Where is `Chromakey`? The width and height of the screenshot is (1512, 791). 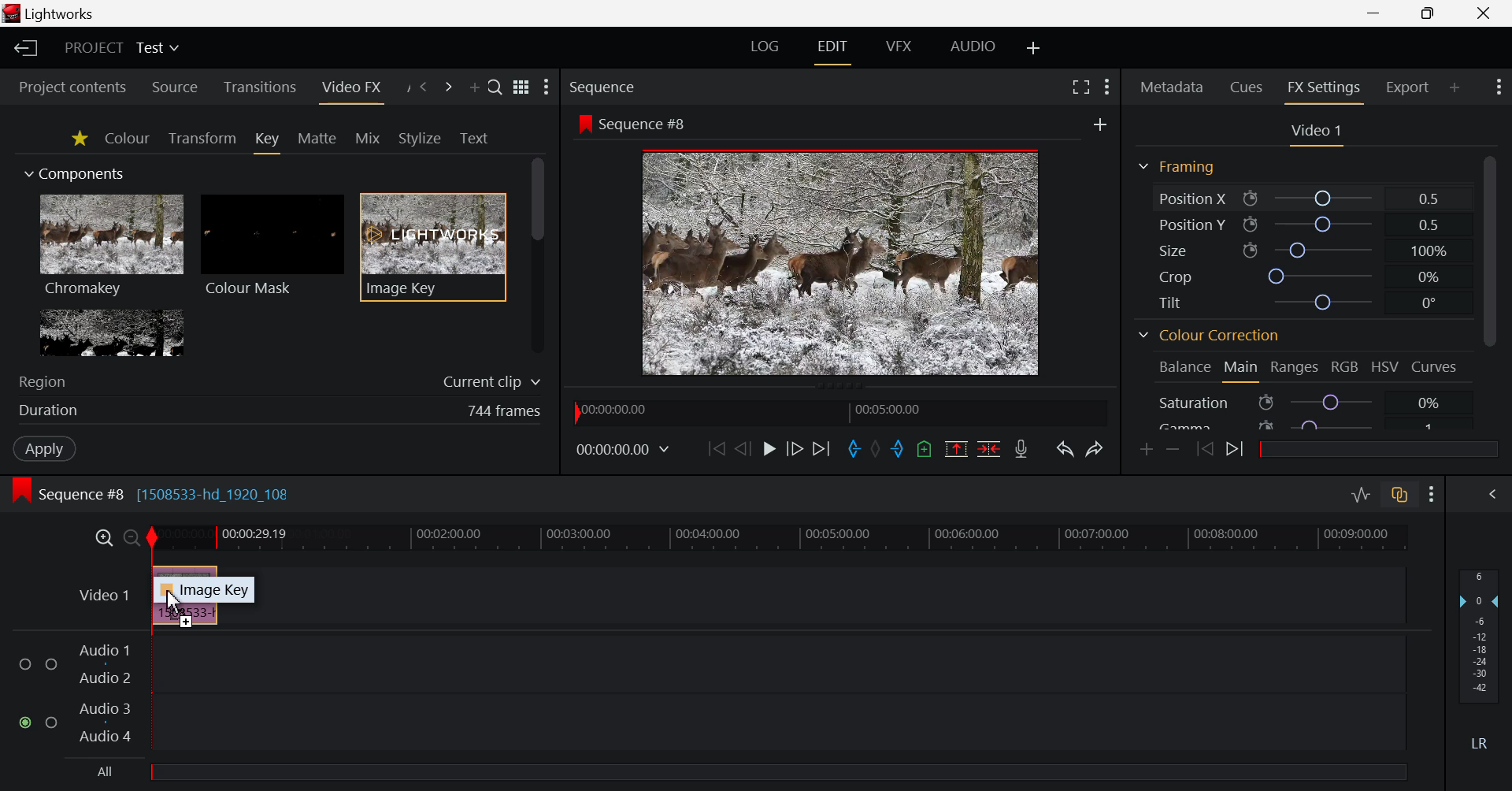 Chromakey is located at coordinates (112, 248).